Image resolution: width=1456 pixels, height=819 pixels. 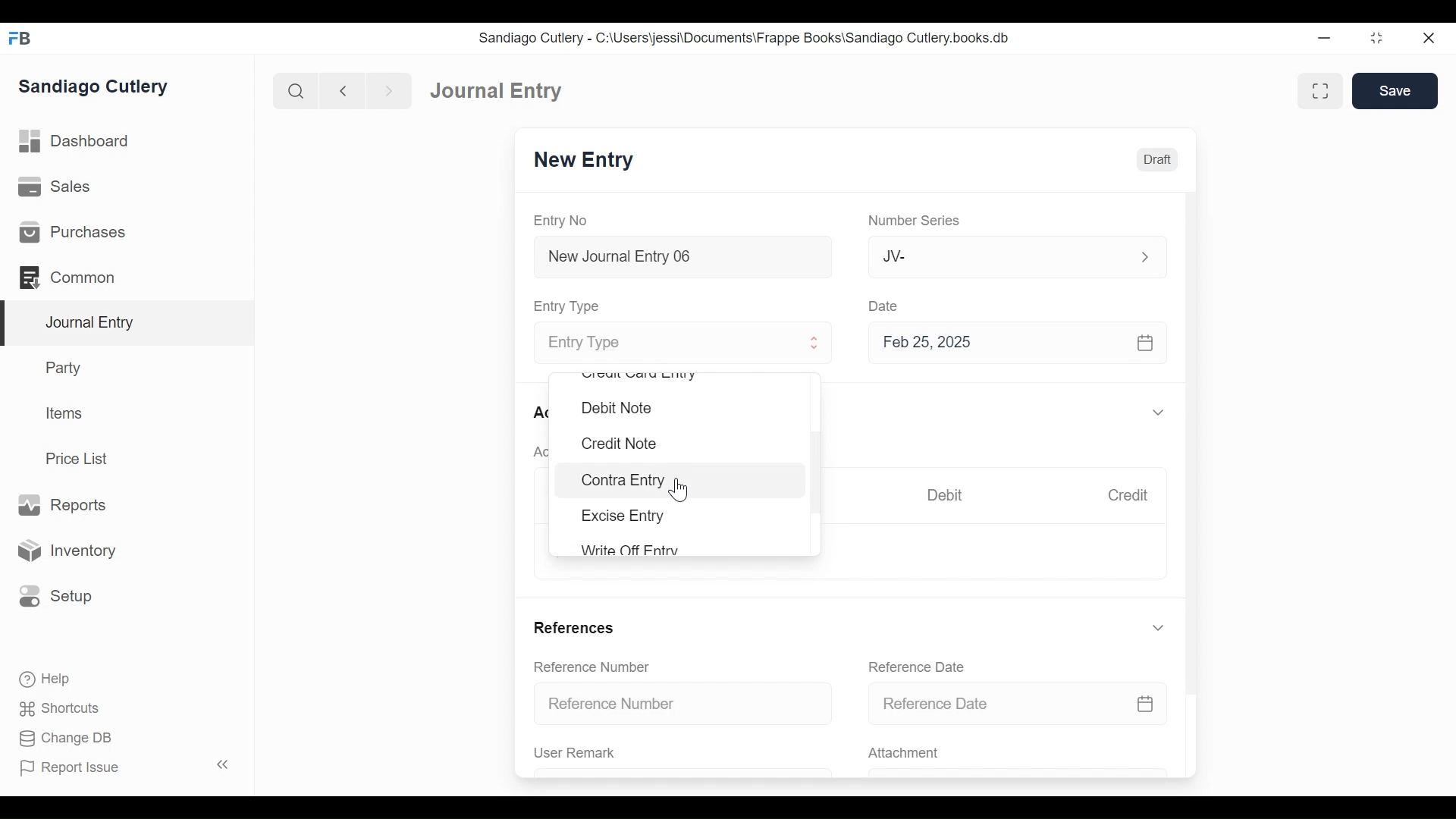 What do you see at coordinates (65, 413) in the screenshot?
I see `Items` at bounding box center [65, 413].